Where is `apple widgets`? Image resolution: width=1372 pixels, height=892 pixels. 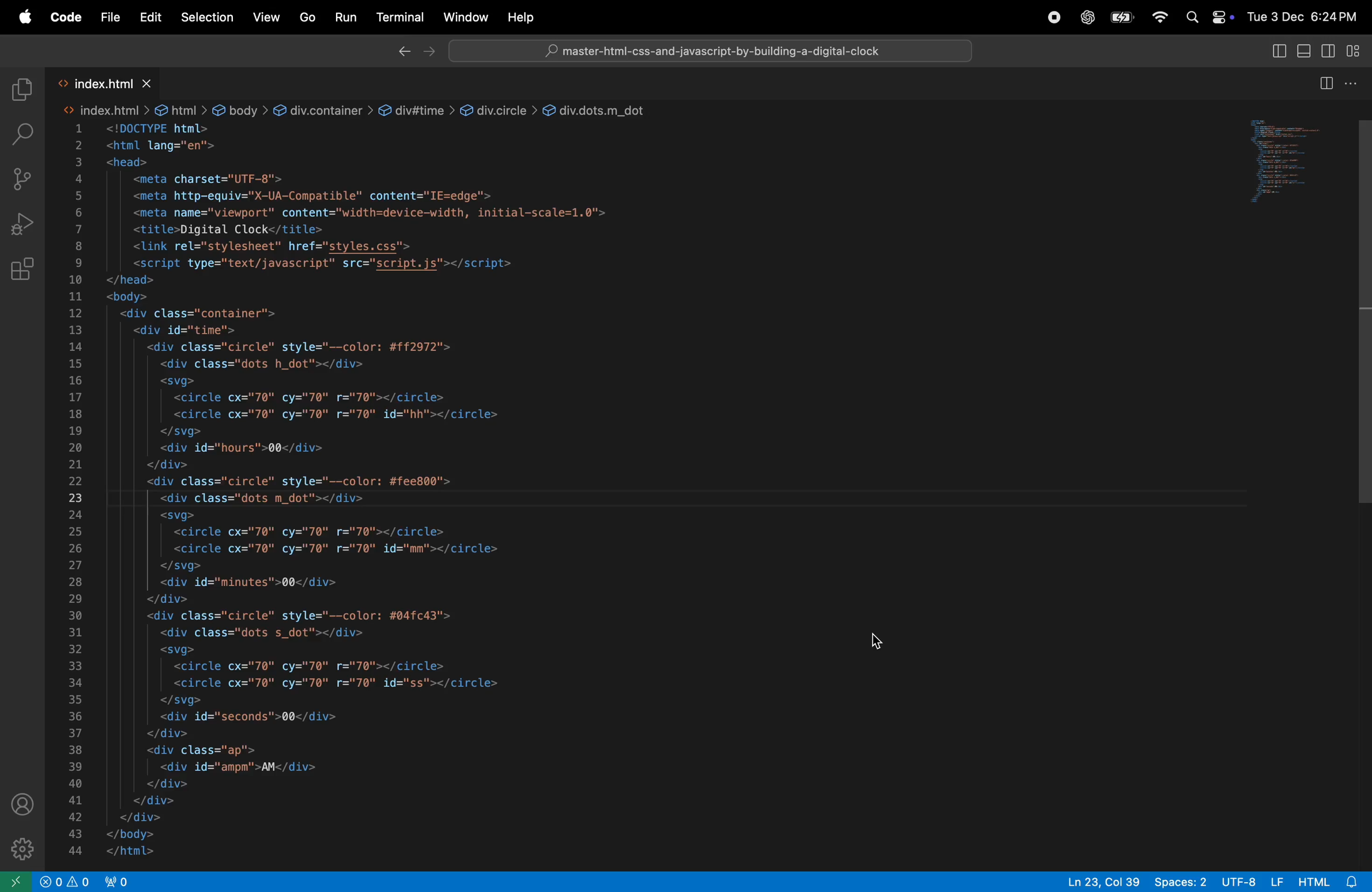 apple widgets is located at coordinates (1206, 16).